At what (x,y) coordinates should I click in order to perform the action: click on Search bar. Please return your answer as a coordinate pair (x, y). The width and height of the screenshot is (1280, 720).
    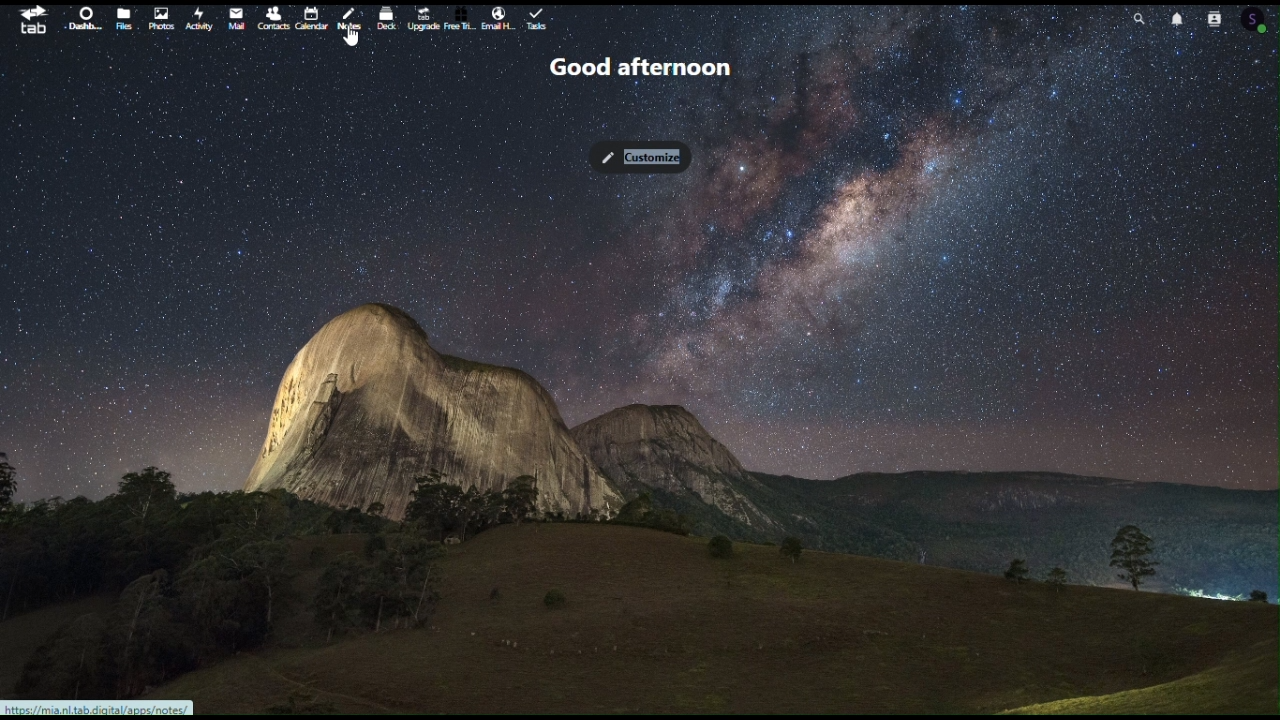
    Looking at the image, I should click on (1134, 15).